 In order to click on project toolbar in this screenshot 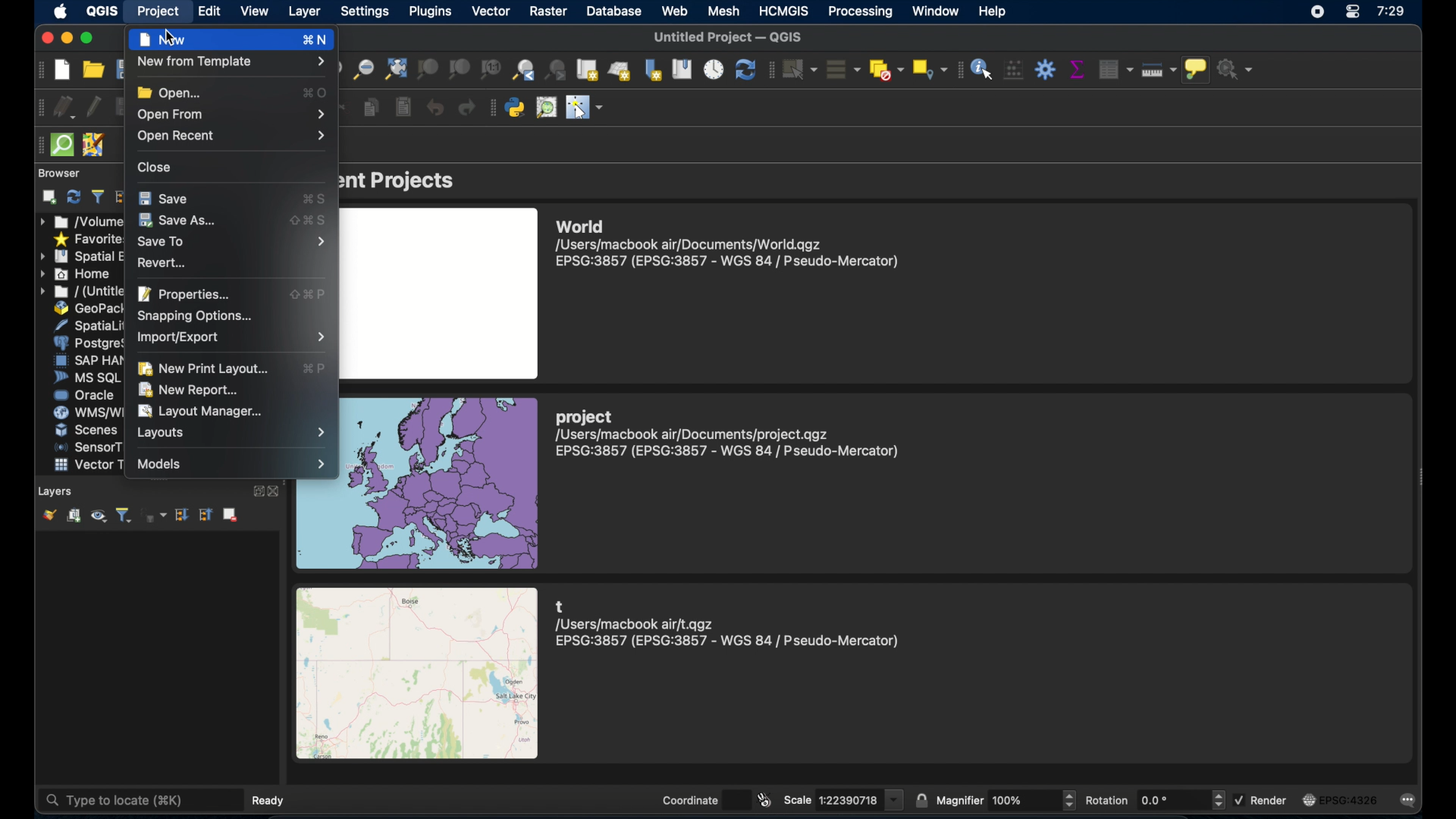, I will do `click(39, 70)`.